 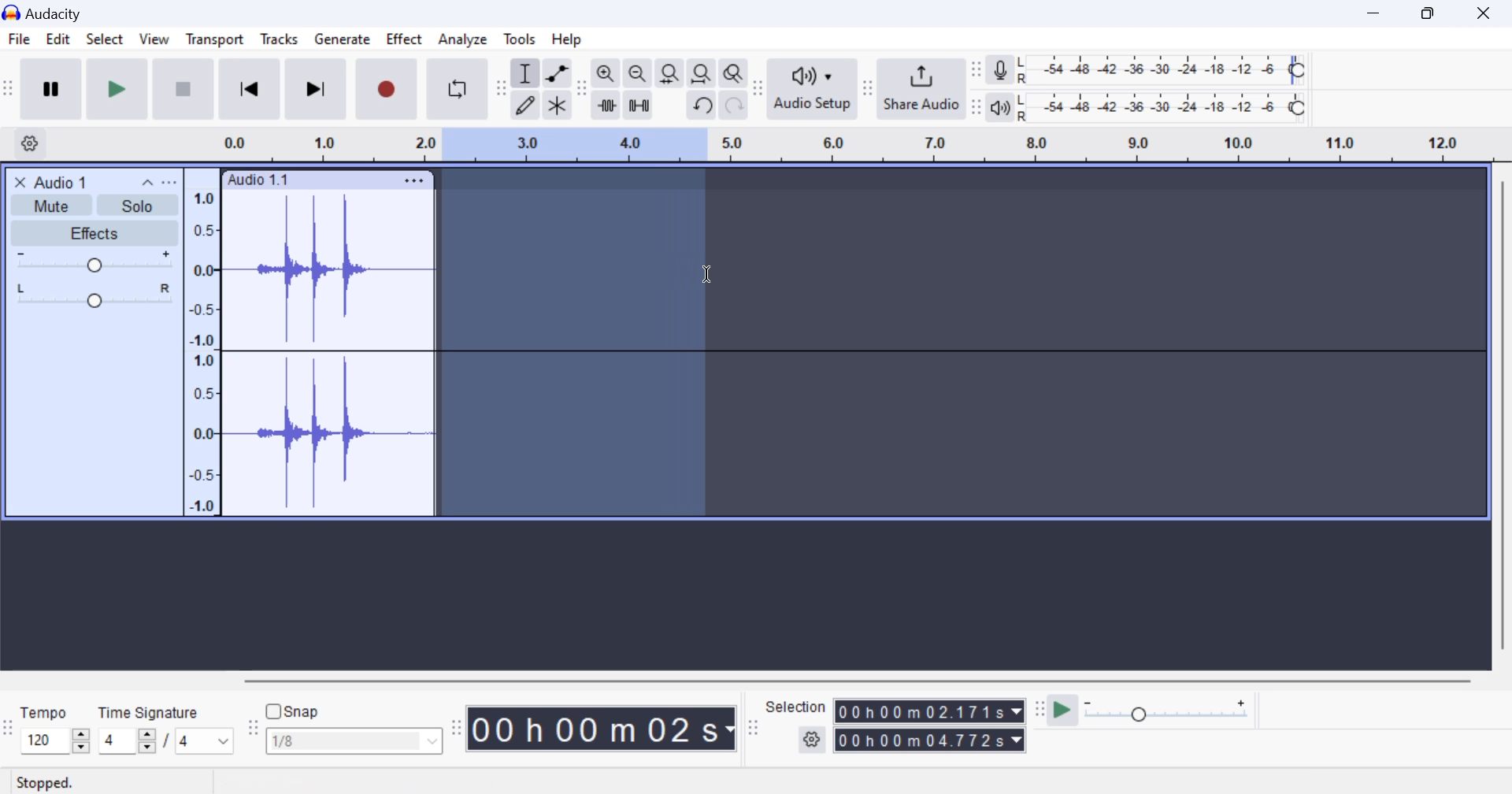 I want to click on Window Title, so click(x=50, y=13).